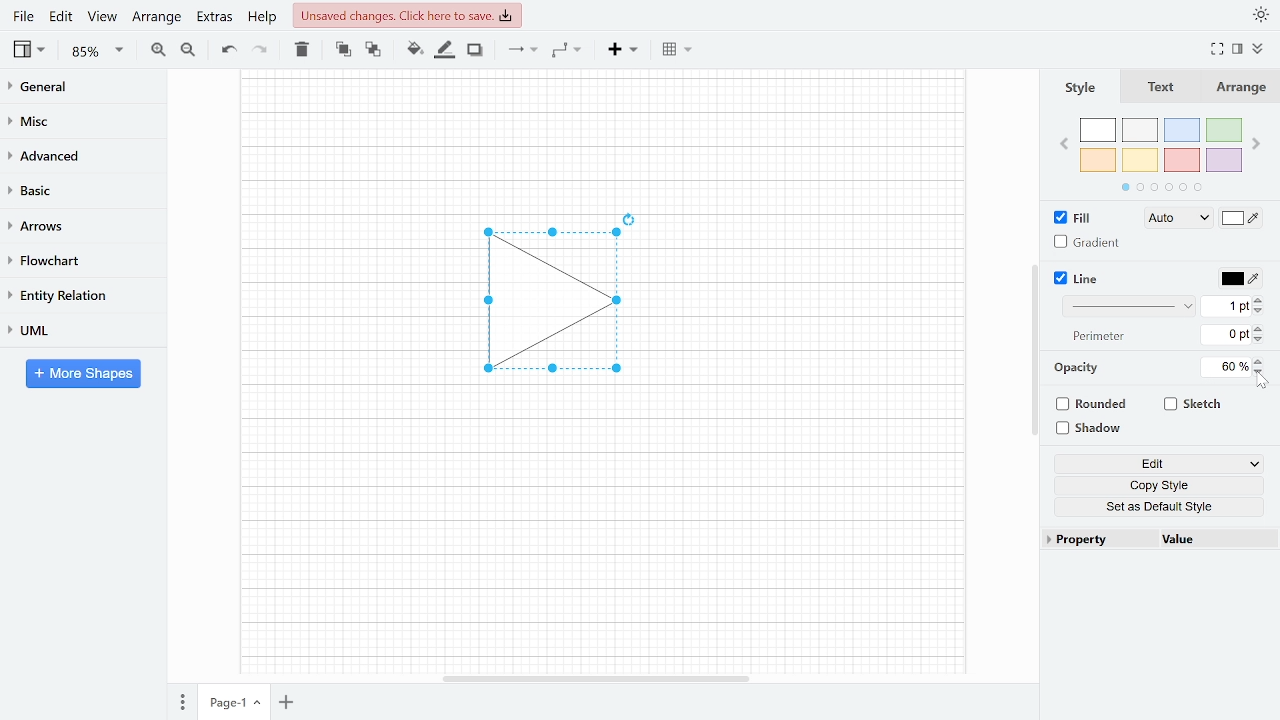  What do you see at coordinates (74, 225) in the screenshot?
I see `Arrows` at bounding box center [74, 225].